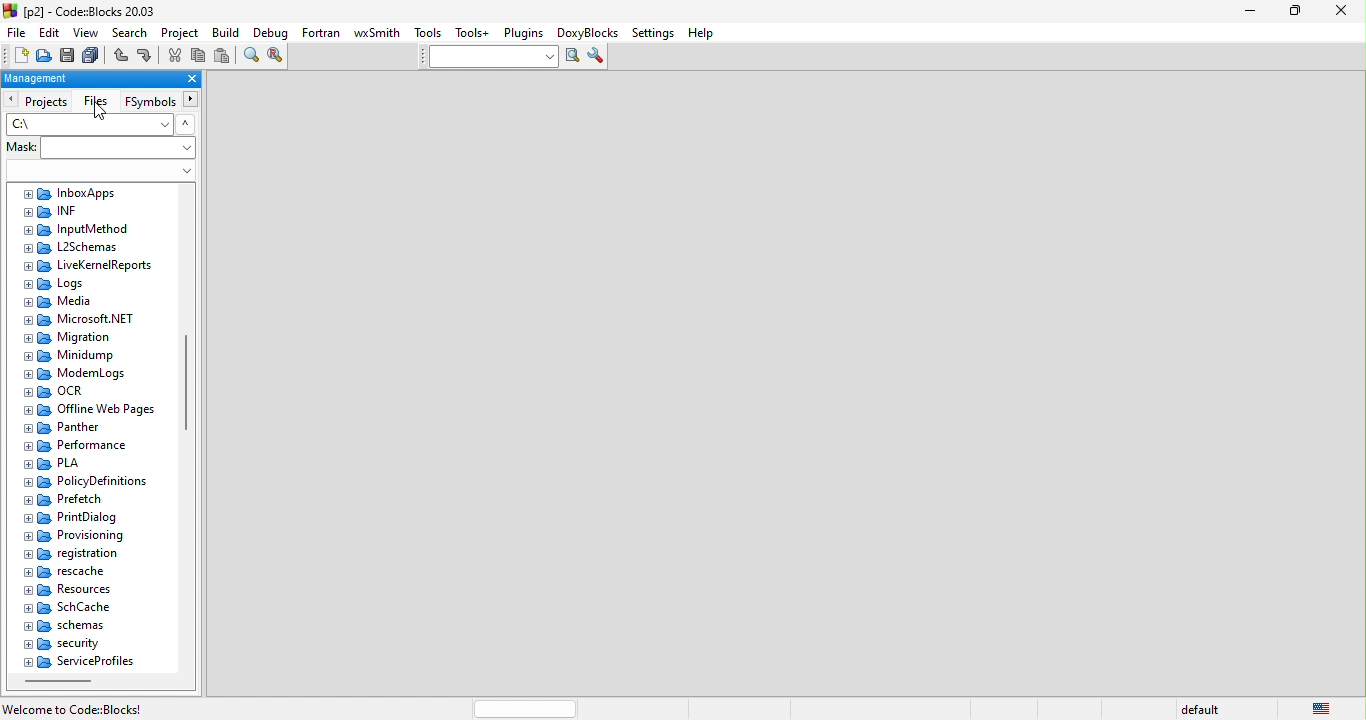  I want to click on close, so click(1342, 11).